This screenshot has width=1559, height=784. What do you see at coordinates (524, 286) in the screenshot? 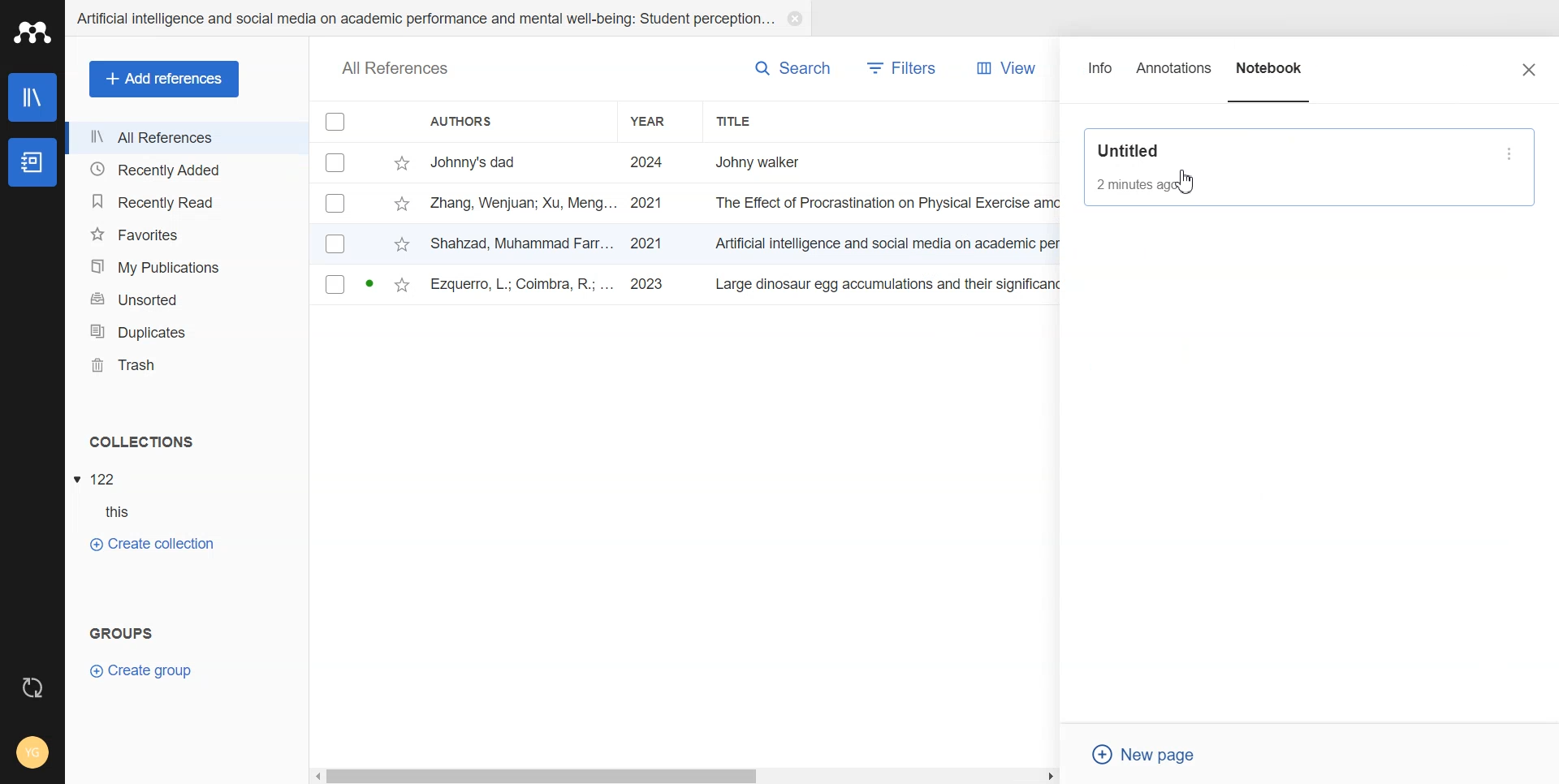
I see `ezquerro, l.; coimbra, r.; ...` at bounding box center [524, 286].